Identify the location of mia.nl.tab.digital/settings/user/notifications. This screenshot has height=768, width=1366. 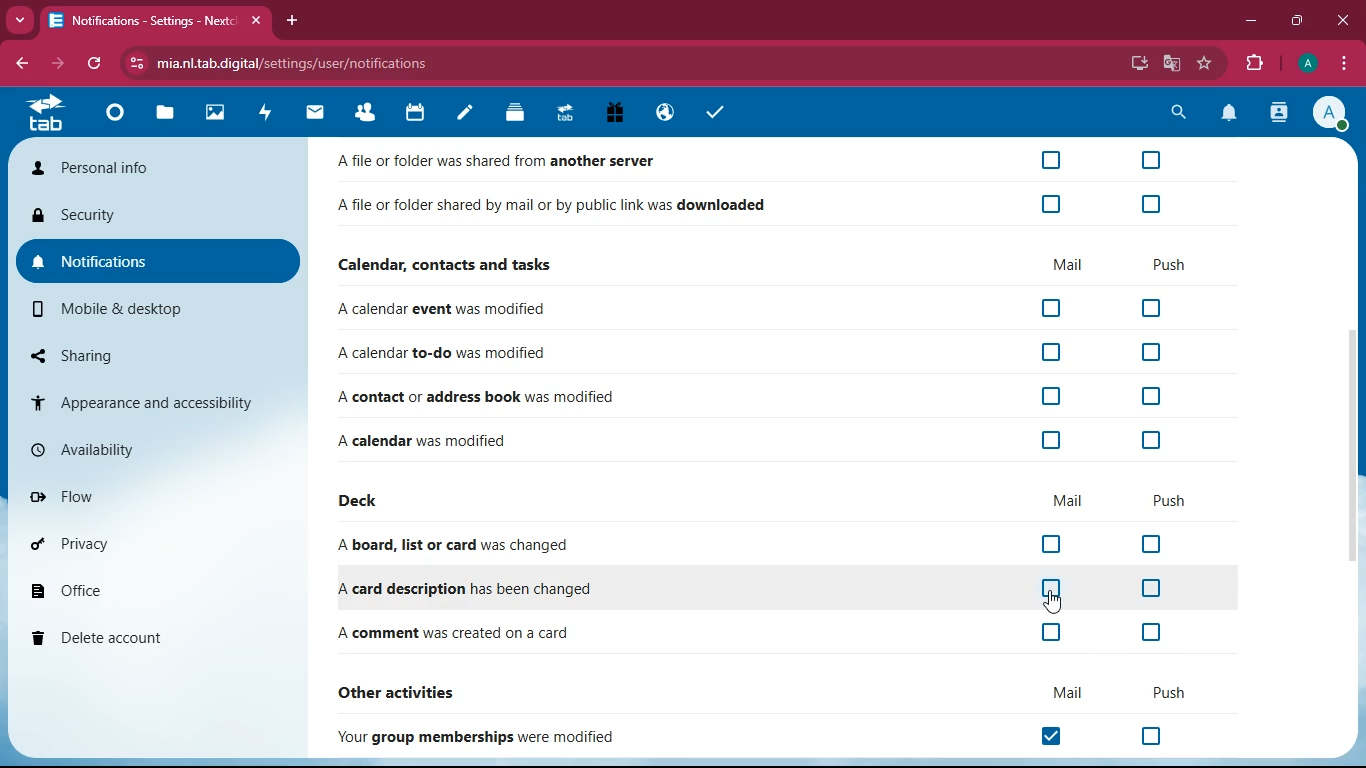
(303, 63).